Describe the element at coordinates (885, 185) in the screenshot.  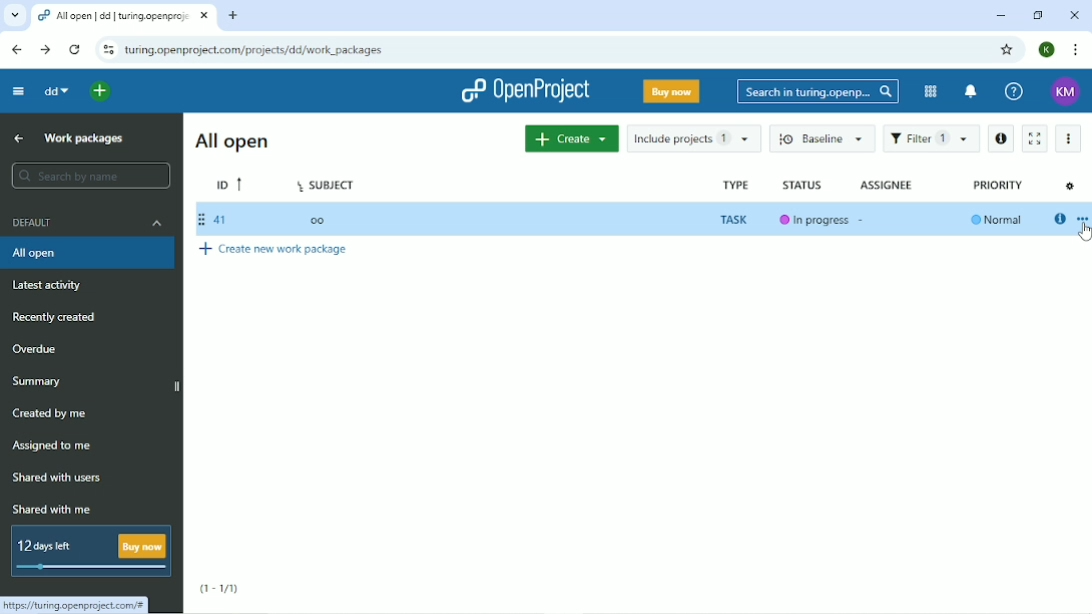
I see `Assignee` at that location.